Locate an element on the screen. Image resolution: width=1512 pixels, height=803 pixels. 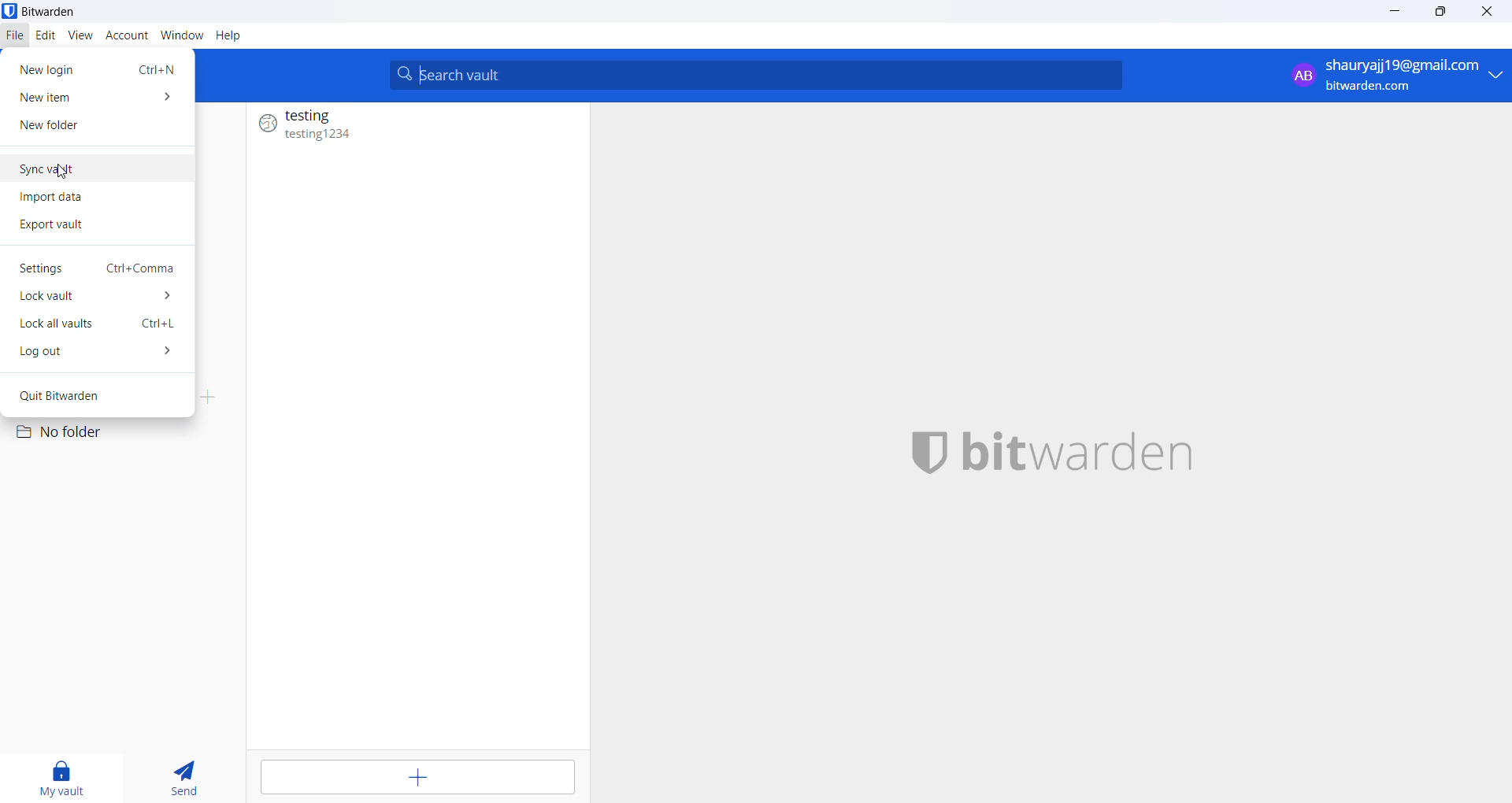
window is located at coordinates (179, 35).